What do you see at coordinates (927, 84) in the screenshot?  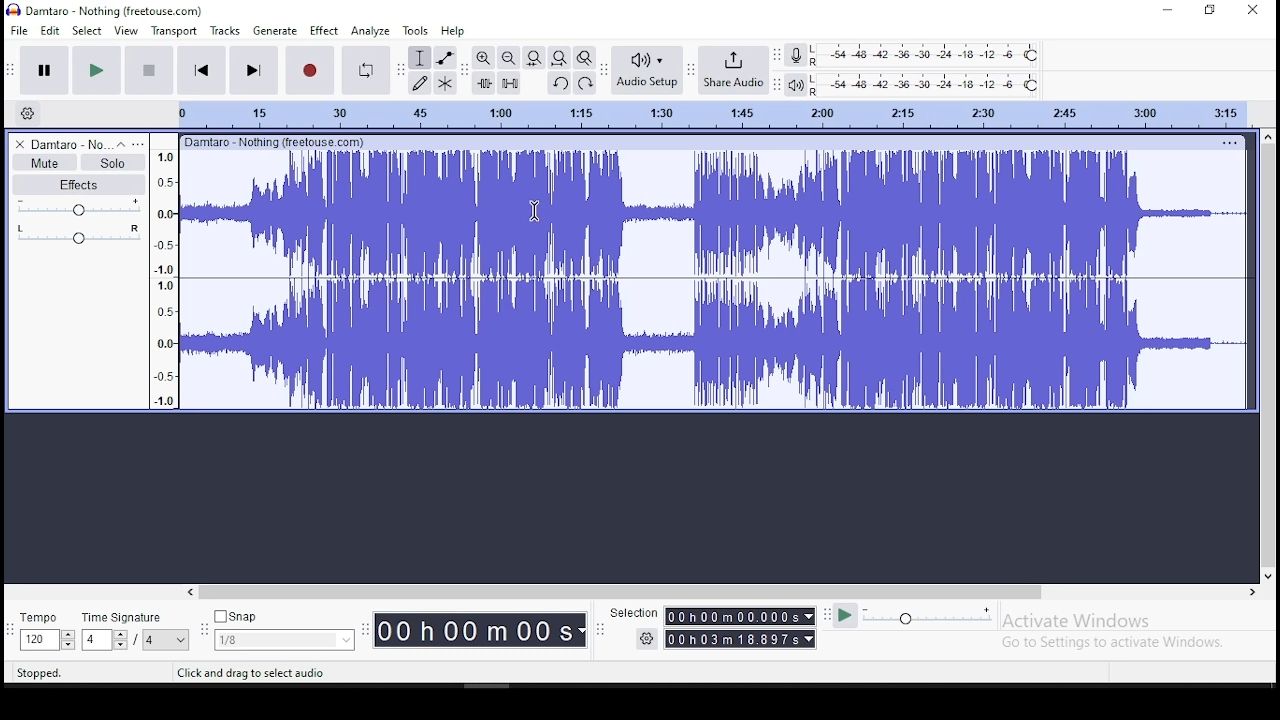 I see `playback level` at bounding box center [927, 84].